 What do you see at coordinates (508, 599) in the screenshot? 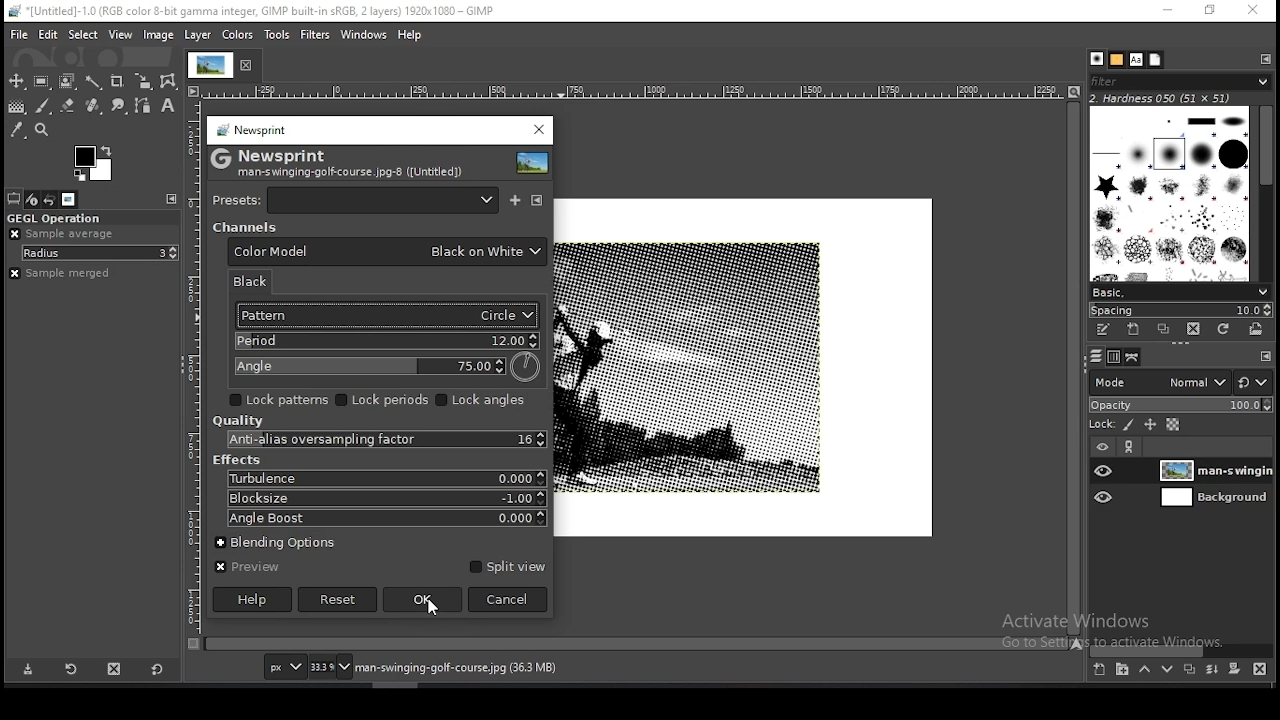
I see `cancel` at bounding box center [508, 599].